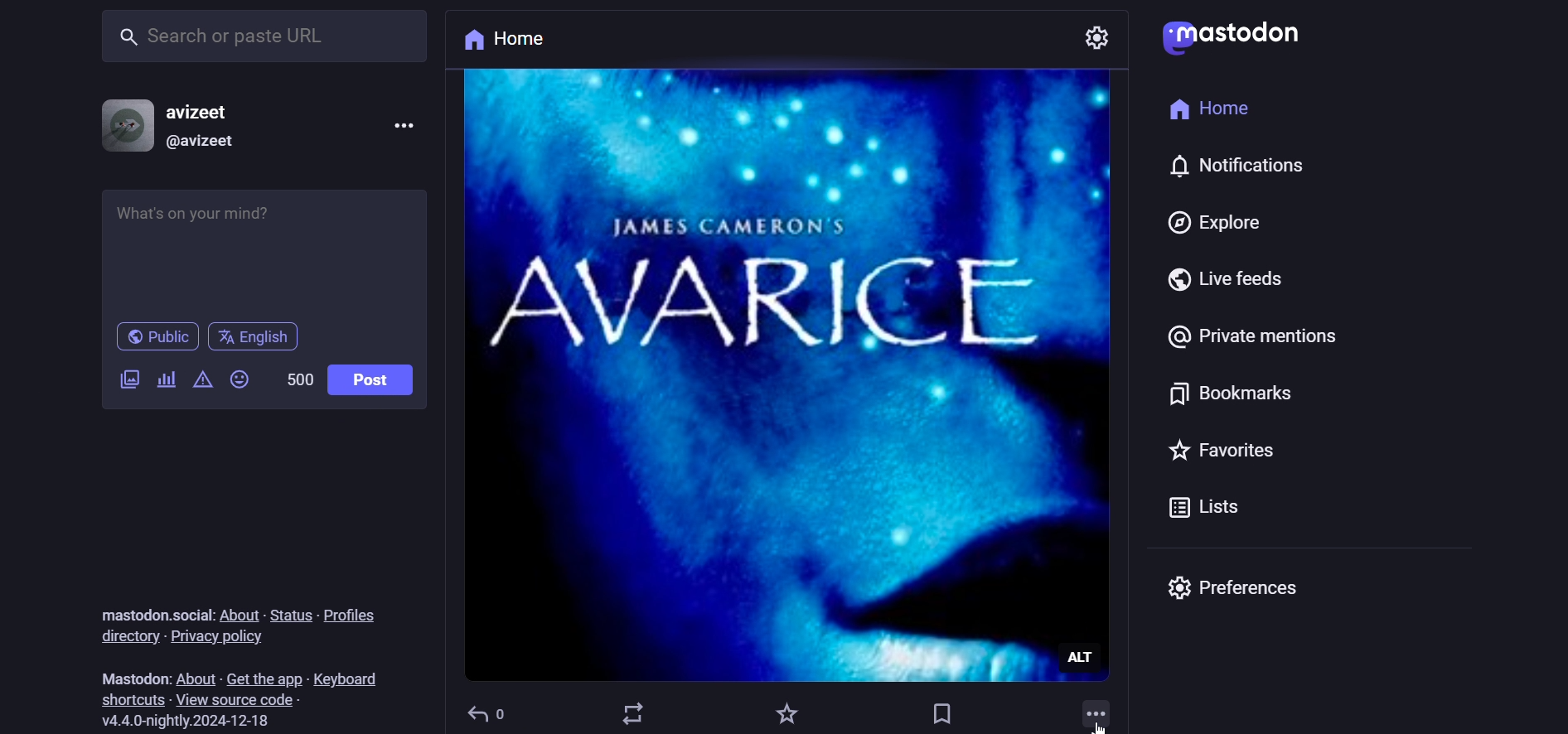 Image resolution: width=1568 pixels, height=734 pixels. What do you see at coordinates (1225, 163) in the screenshot?
I see `notification` at bounding box center [1225, 163].